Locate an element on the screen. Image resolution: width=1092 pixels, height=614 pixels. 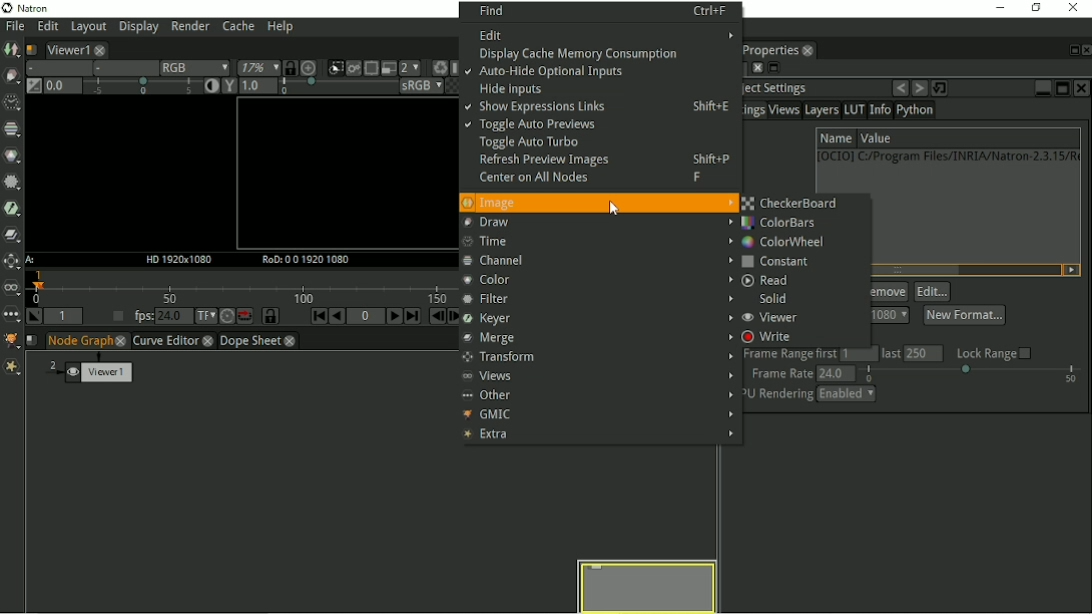
Synchronize is located at coordinates (289, 67).